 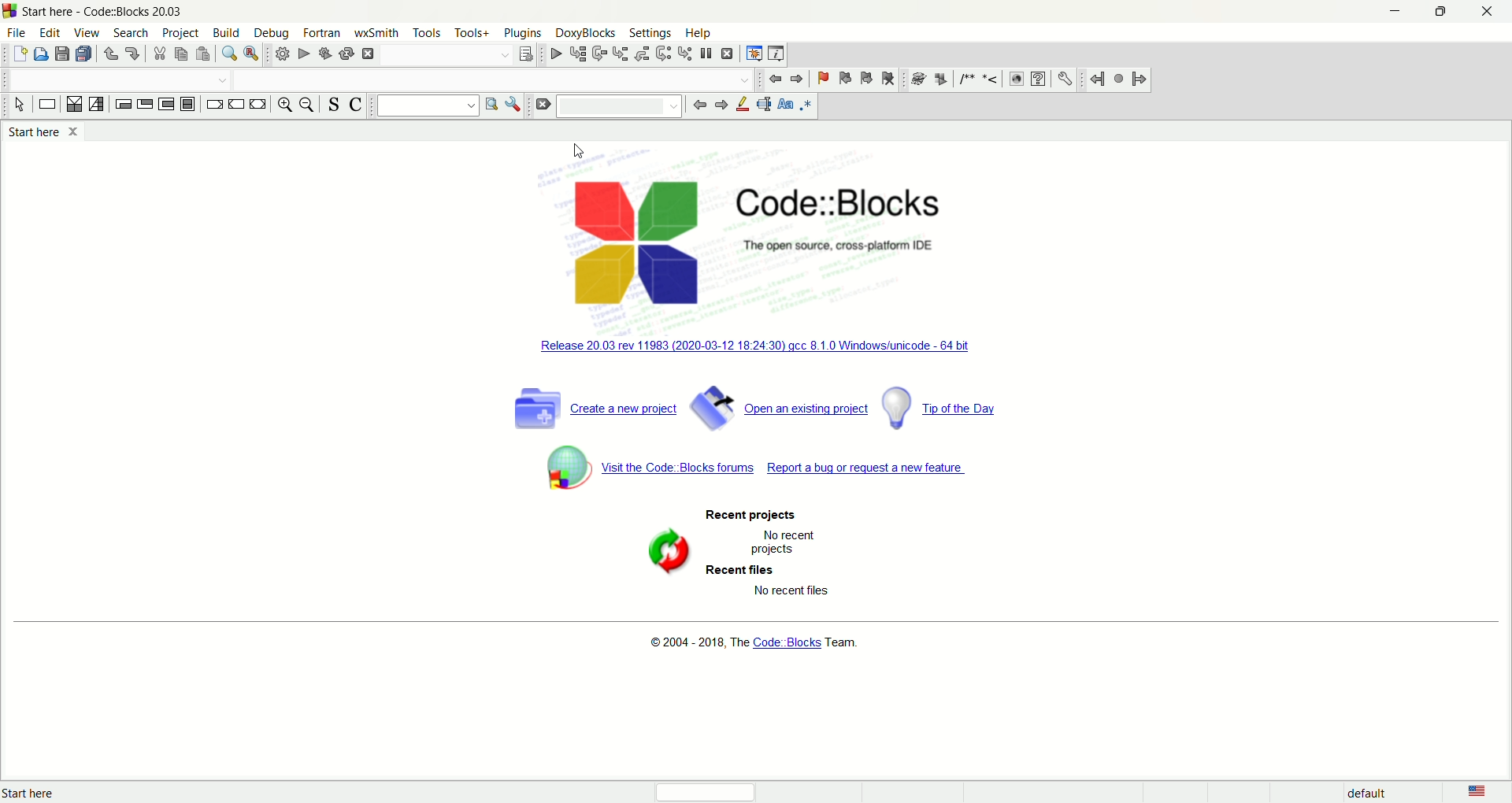 What do you see at coordinates (626, 249) in the screenshot?
I see `logo` at bounding box center [626, 249].